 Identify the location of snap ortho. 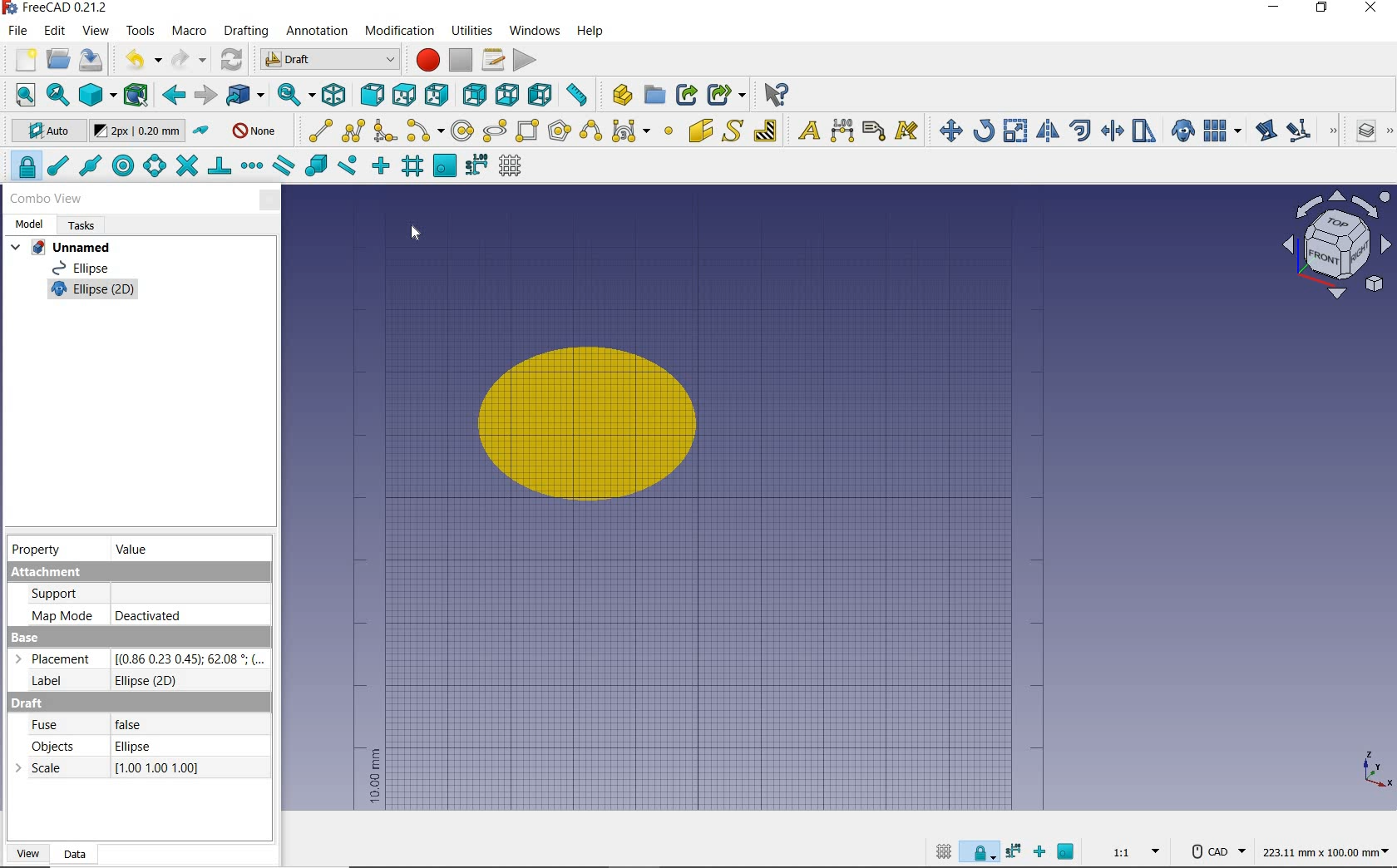
(1039, 851).